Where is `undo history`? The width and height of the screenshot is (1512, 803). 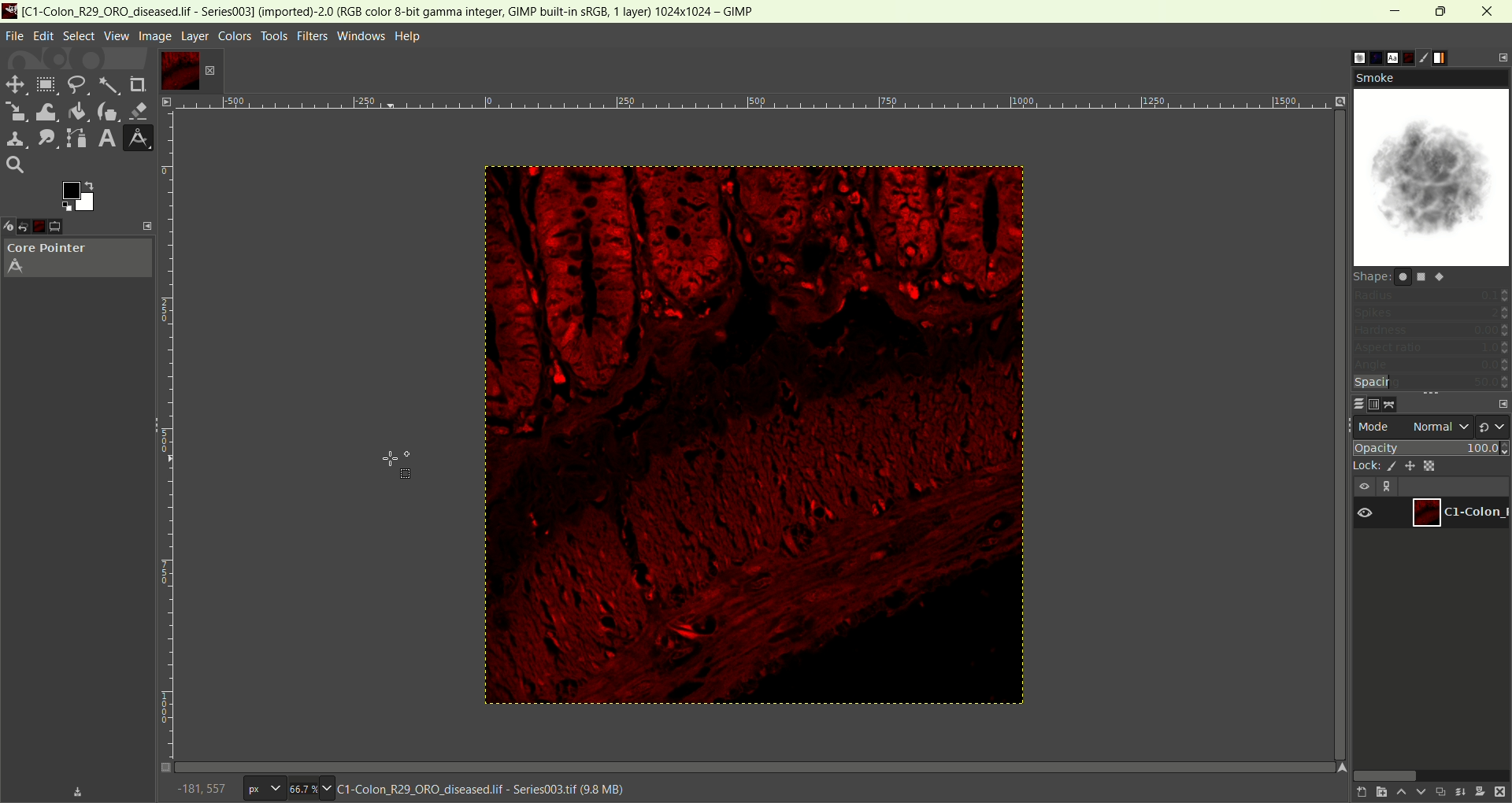 undo history is located at coordinates (29, 228).